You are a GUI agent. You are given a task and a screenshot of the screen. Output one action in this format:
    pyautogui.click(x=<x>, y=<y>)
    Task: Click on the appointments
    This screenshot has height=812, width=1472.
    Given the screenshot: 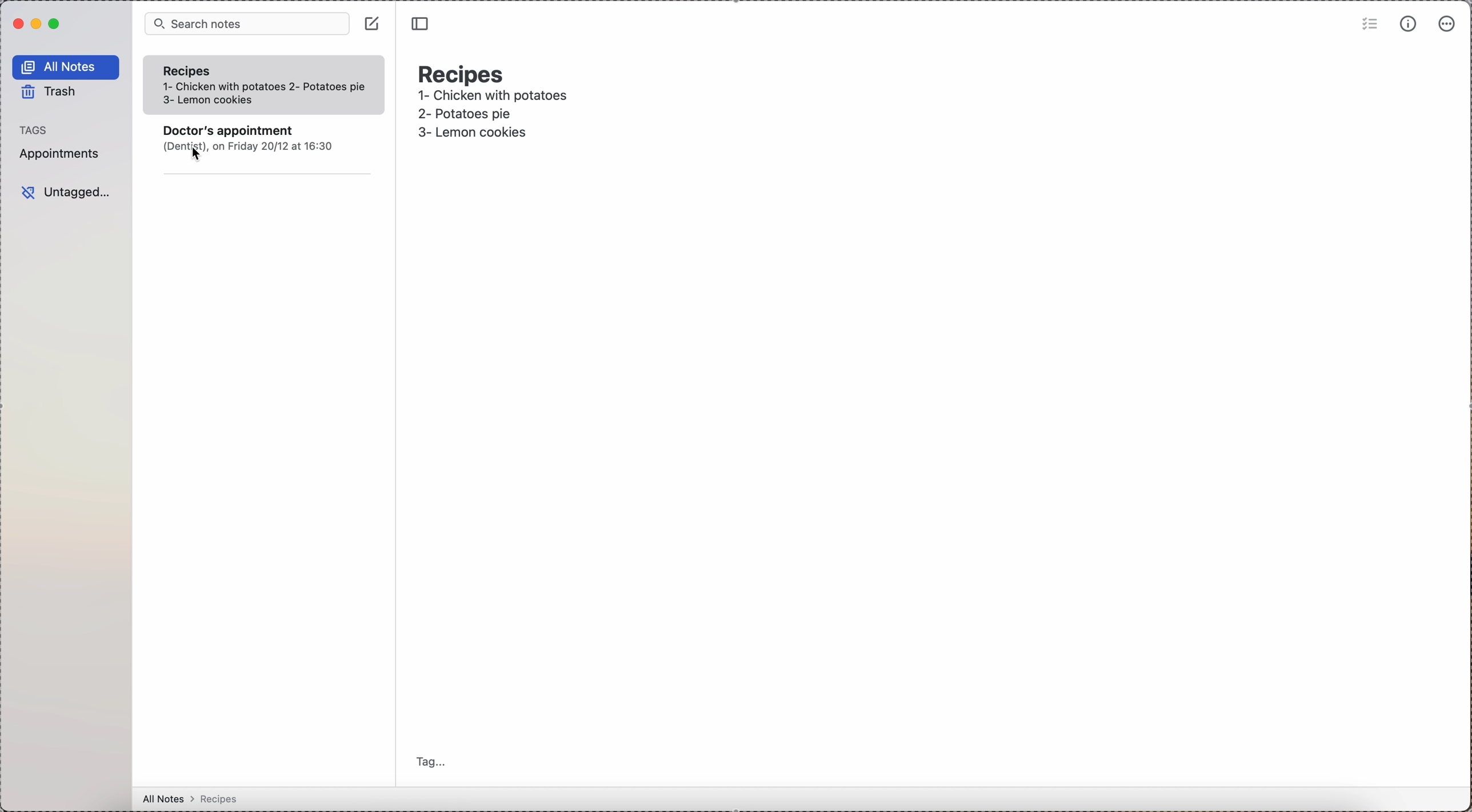 What is the action you would take?
    pyautogui.click(x=63, y=154)
    